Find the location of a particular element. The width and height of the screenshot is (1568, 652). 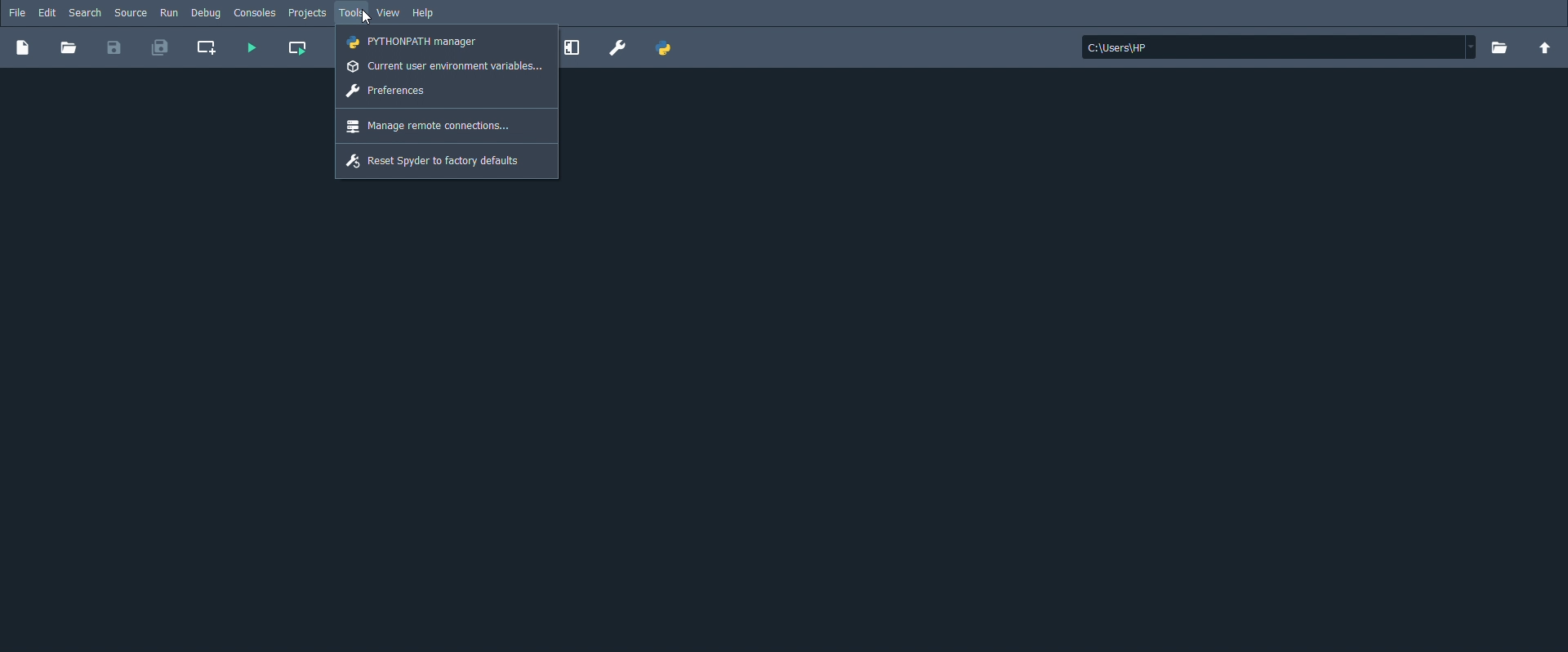

Open file is located at coordinates (68, 48).